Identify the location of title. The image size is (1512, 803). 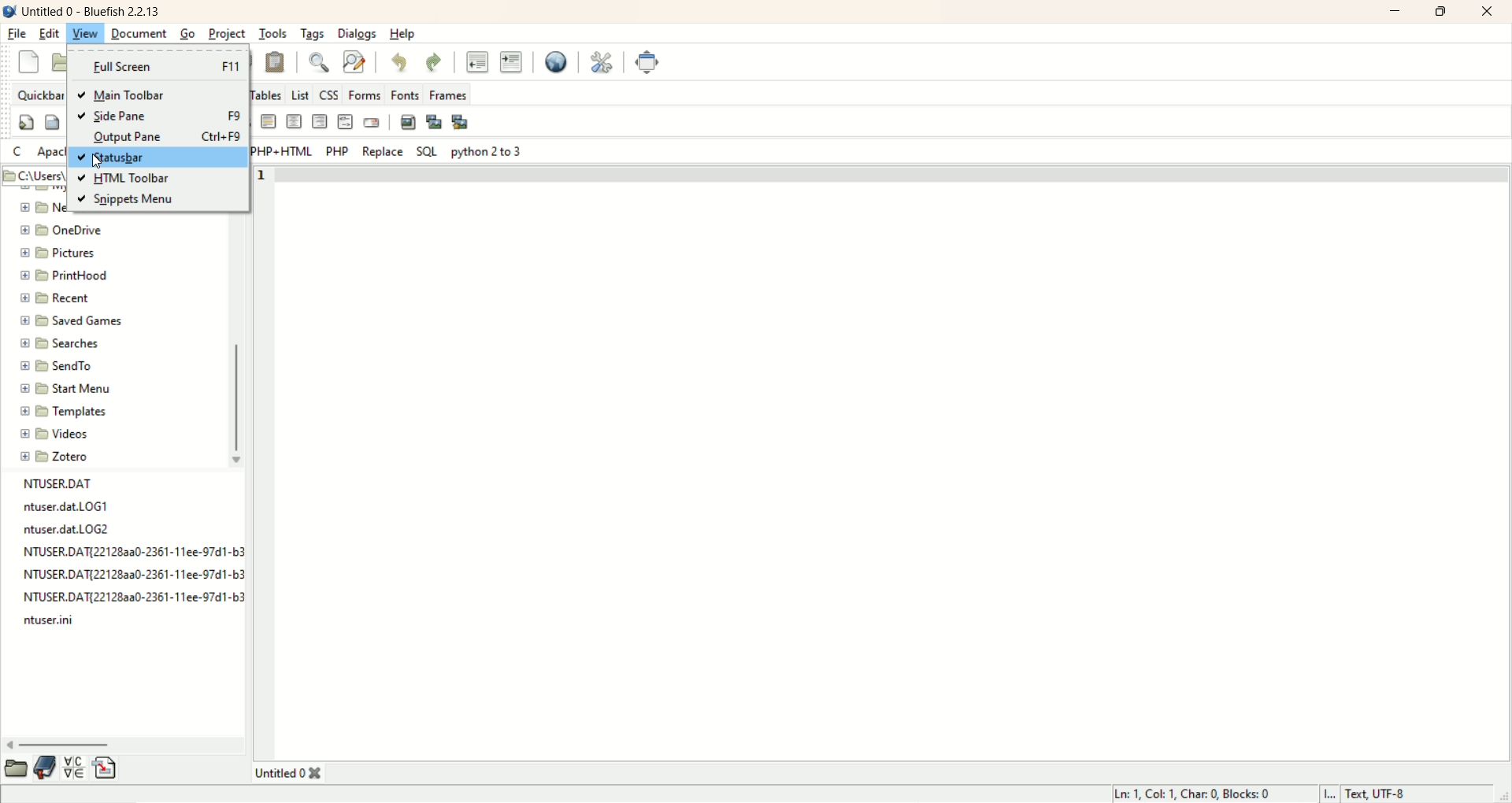
(291, 774).